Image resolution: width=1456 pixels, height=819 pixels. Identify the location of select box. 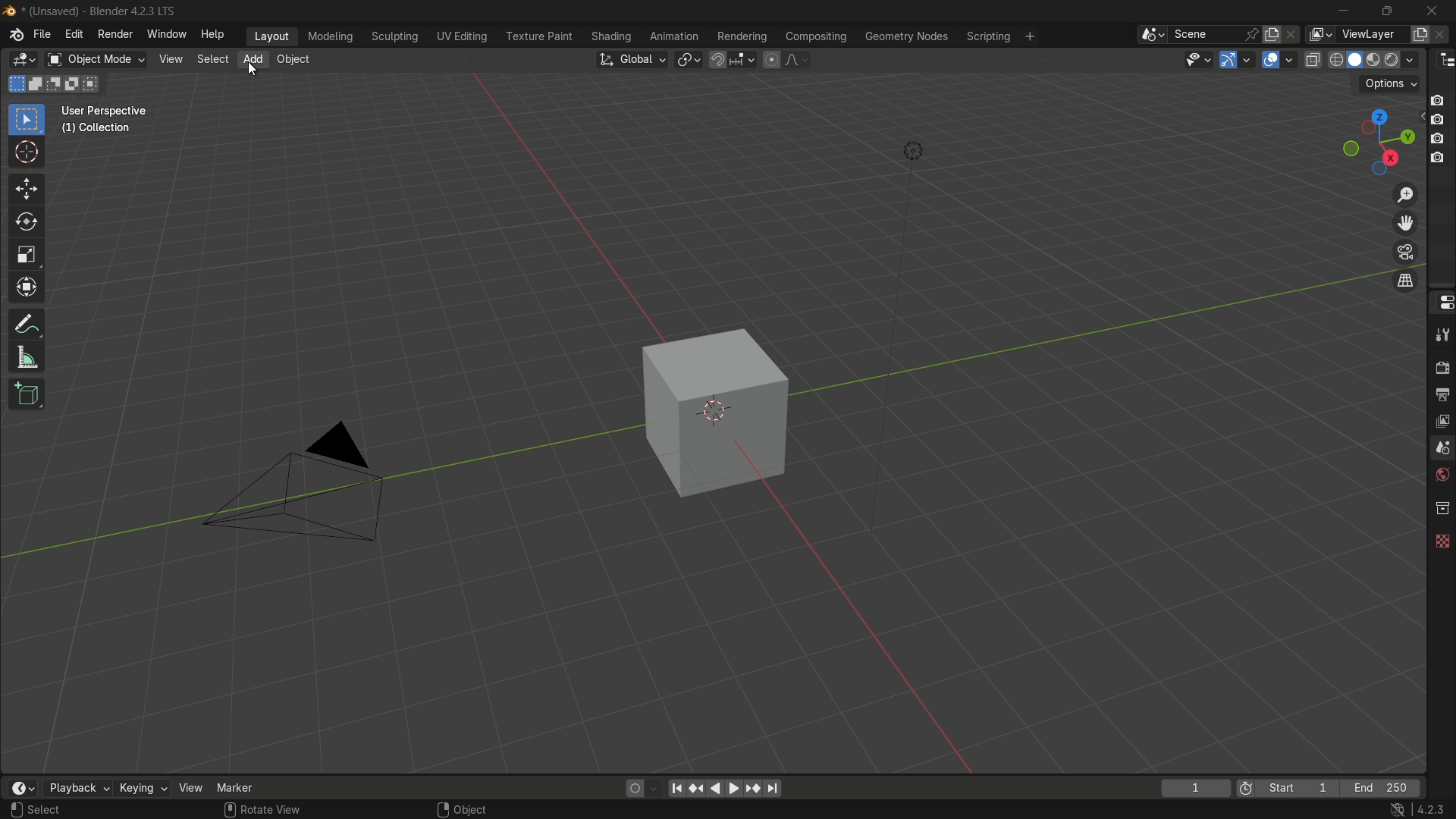
(27, 121).